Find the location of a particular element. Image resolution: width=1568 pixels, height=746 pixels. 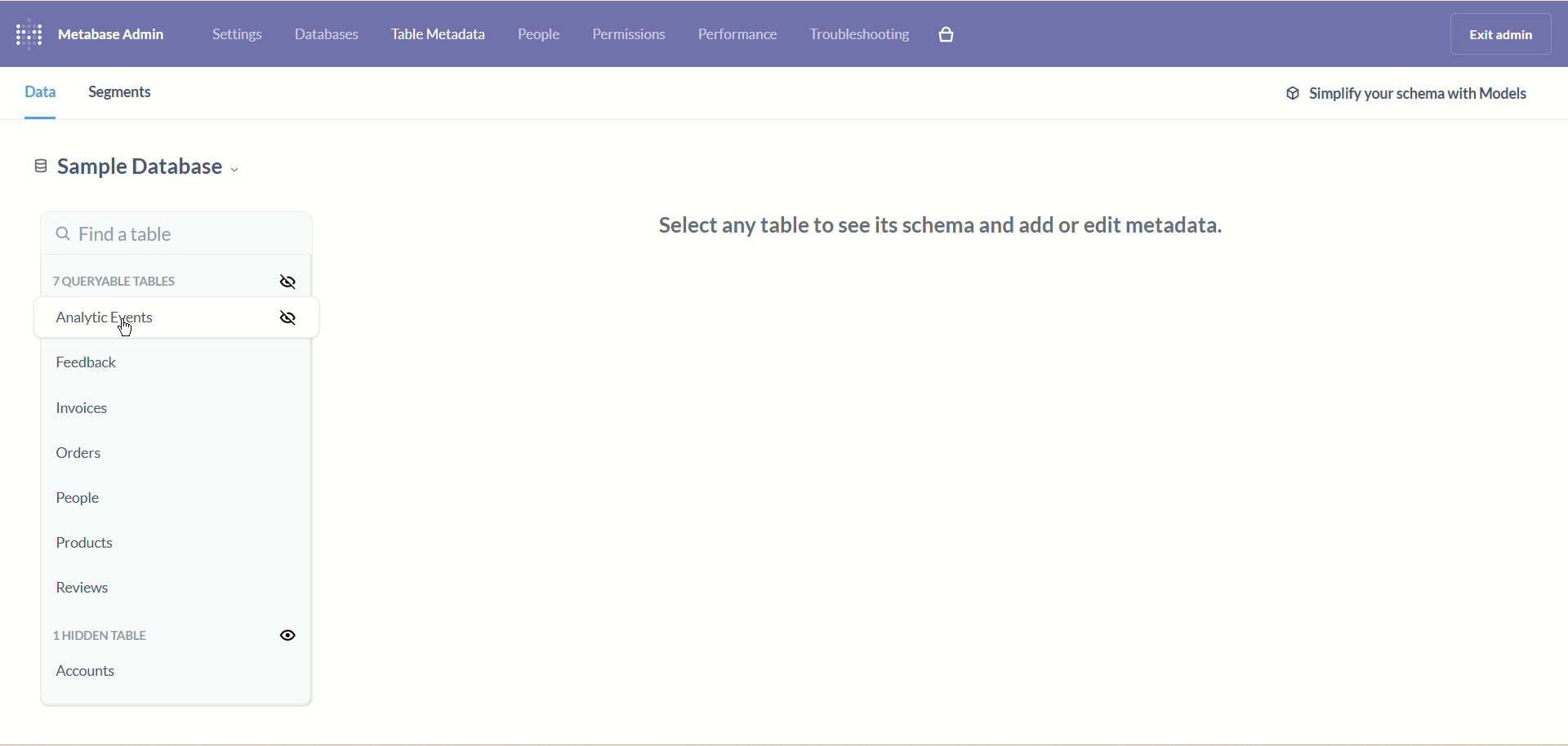

Invoices is located at coordinates (87, 406).